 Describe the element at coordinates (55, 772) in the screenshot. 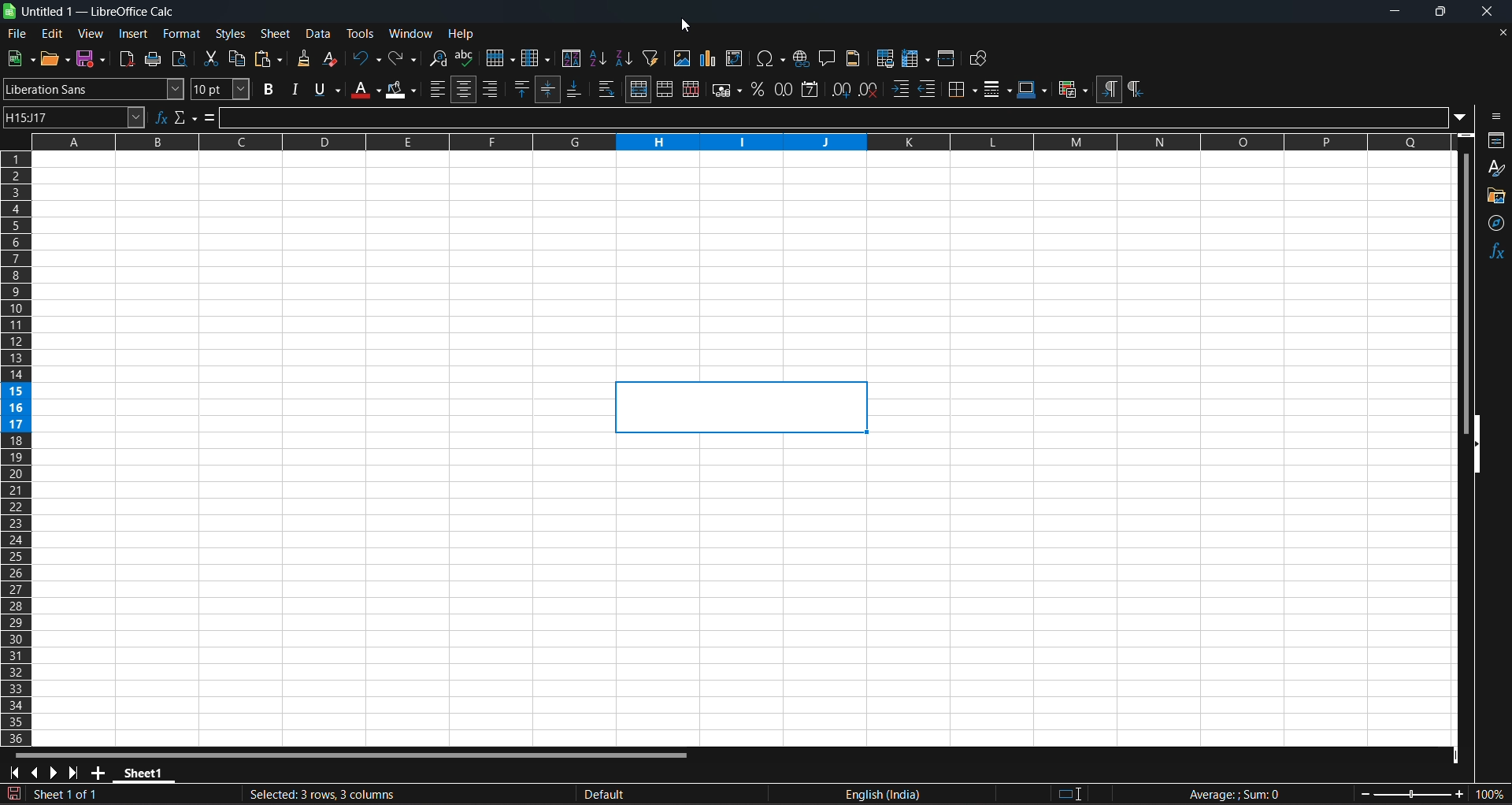

I see `scroll to next sheet` at that location.